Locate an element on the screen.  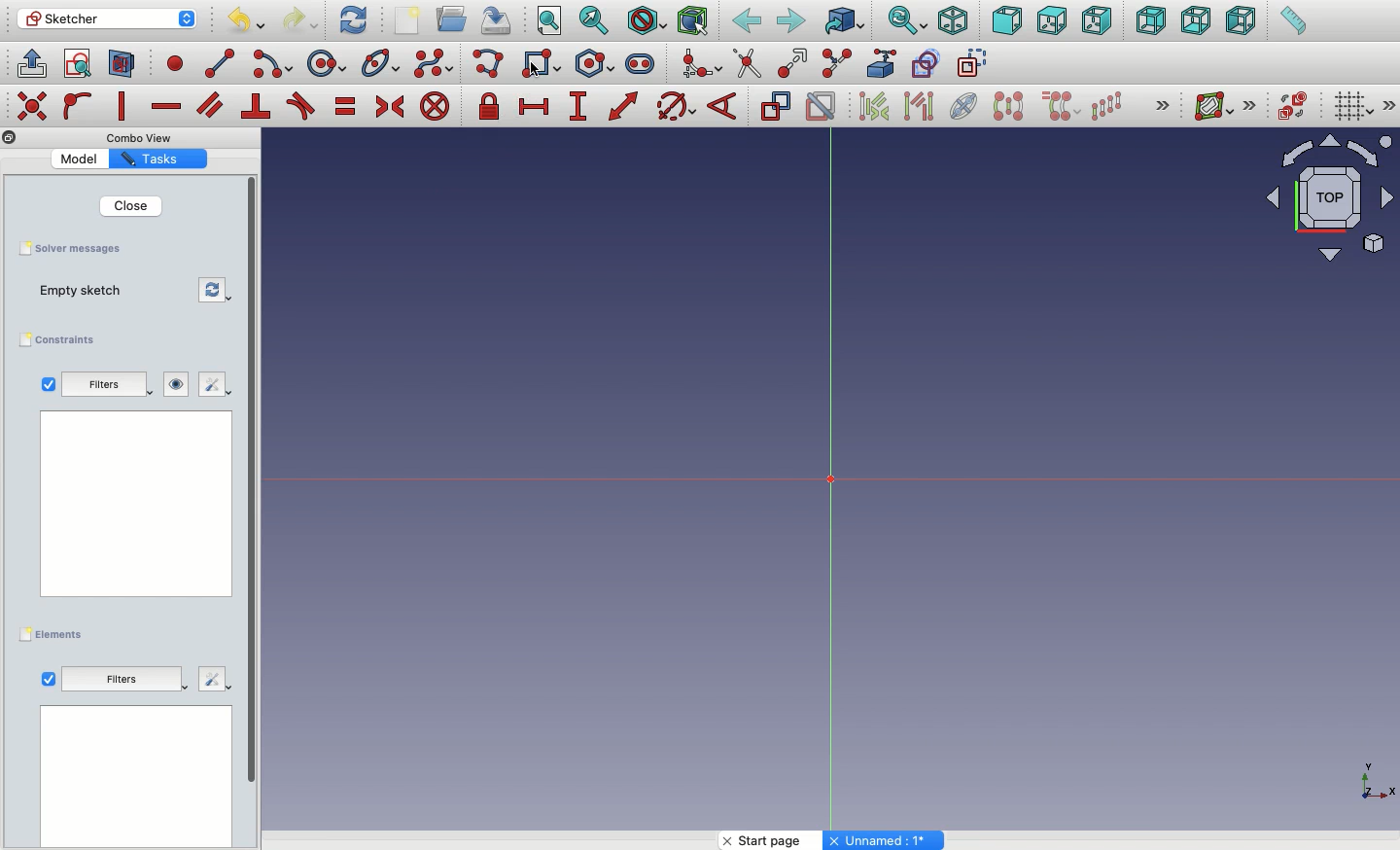
Rectangular array is located at coordinates (1108, 106).